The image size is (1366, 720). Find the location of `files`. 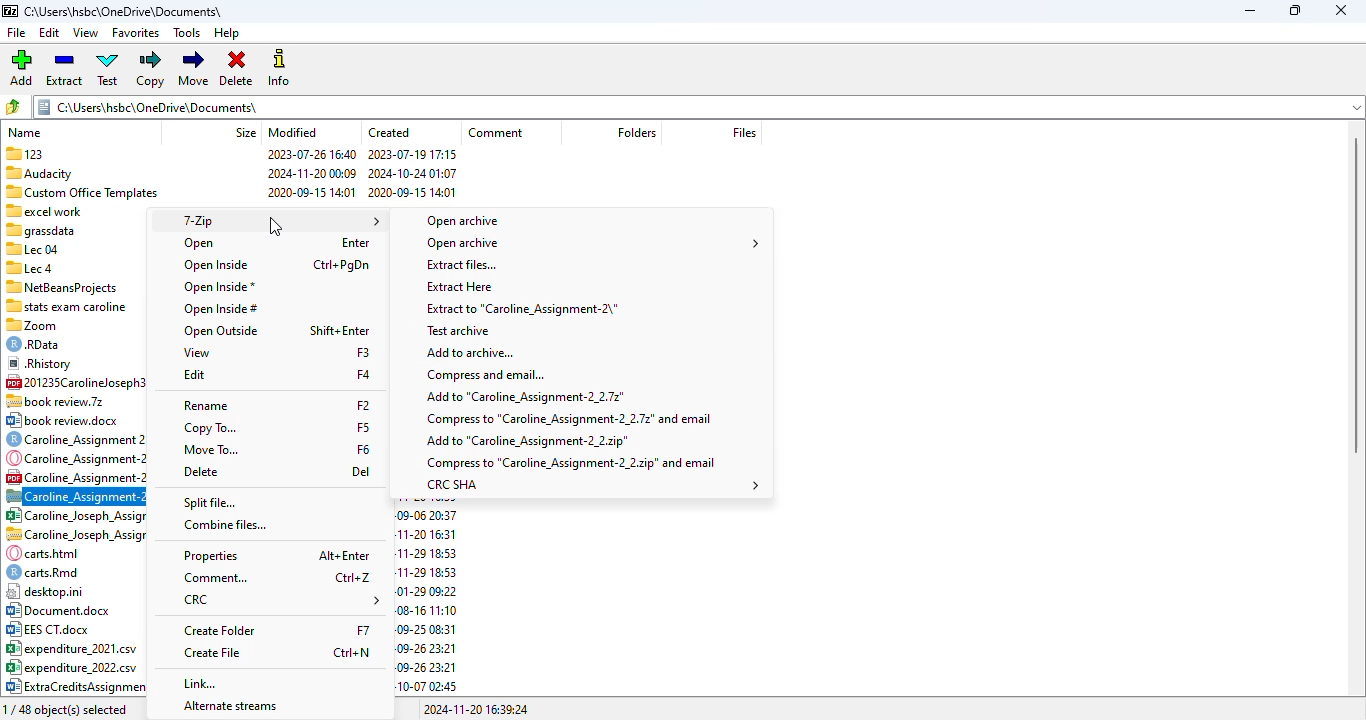

files is located at coordinates (744, 133).